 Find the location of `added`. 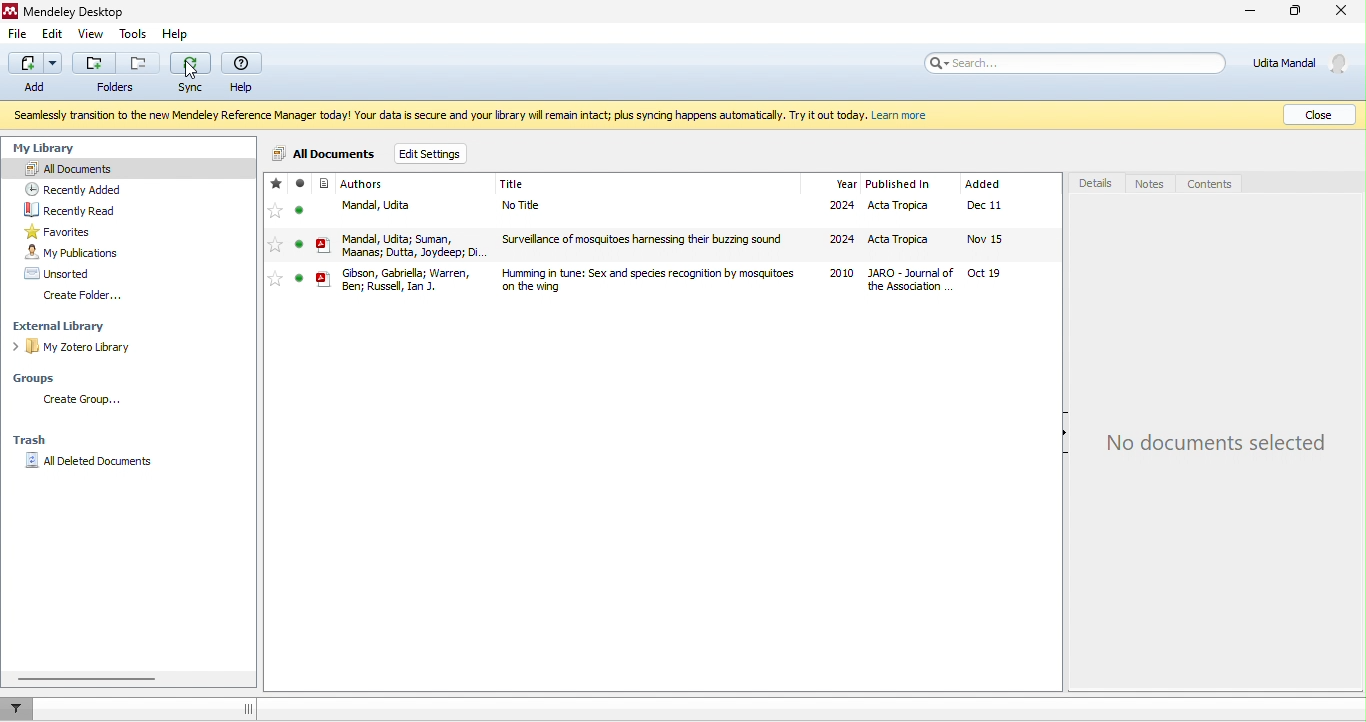

added is located at coordinates (983, 184).